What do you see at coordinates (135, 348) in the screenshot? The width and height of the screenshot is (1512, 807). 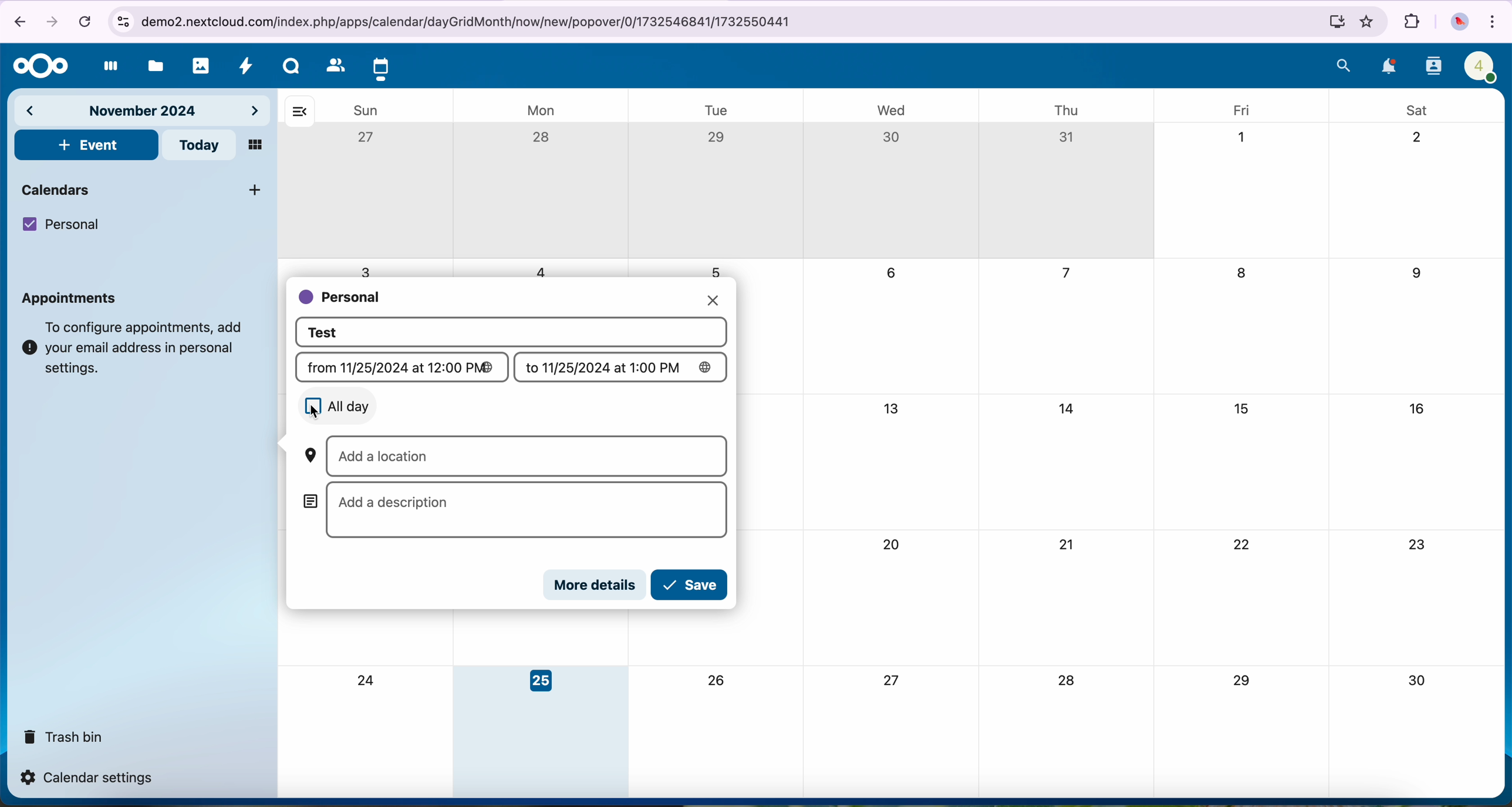 I see `note` at bounding box center [135, 348].